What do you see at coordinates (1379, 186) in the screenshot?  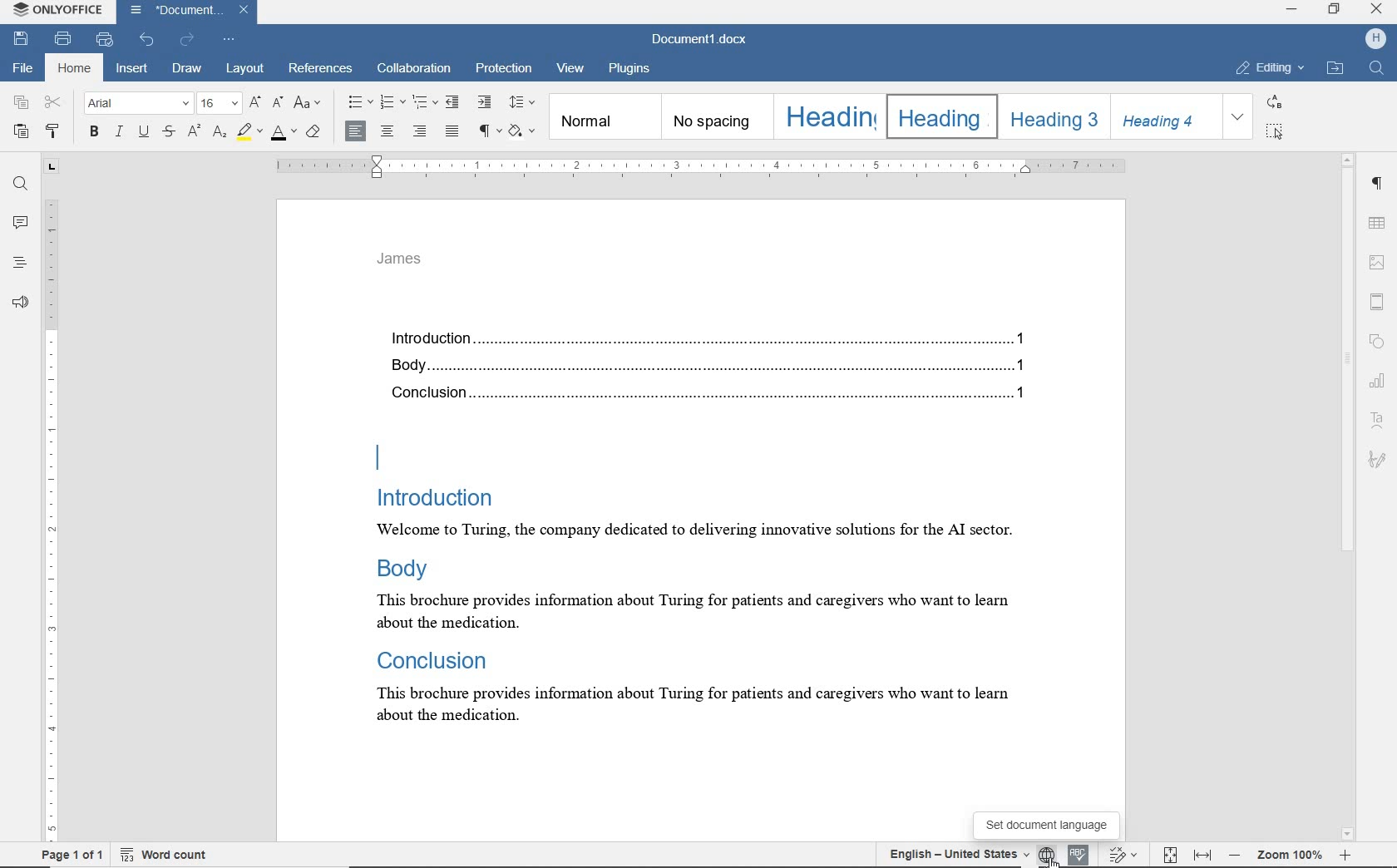 I see `paragraph settings` at bounding box center [1379, 186].